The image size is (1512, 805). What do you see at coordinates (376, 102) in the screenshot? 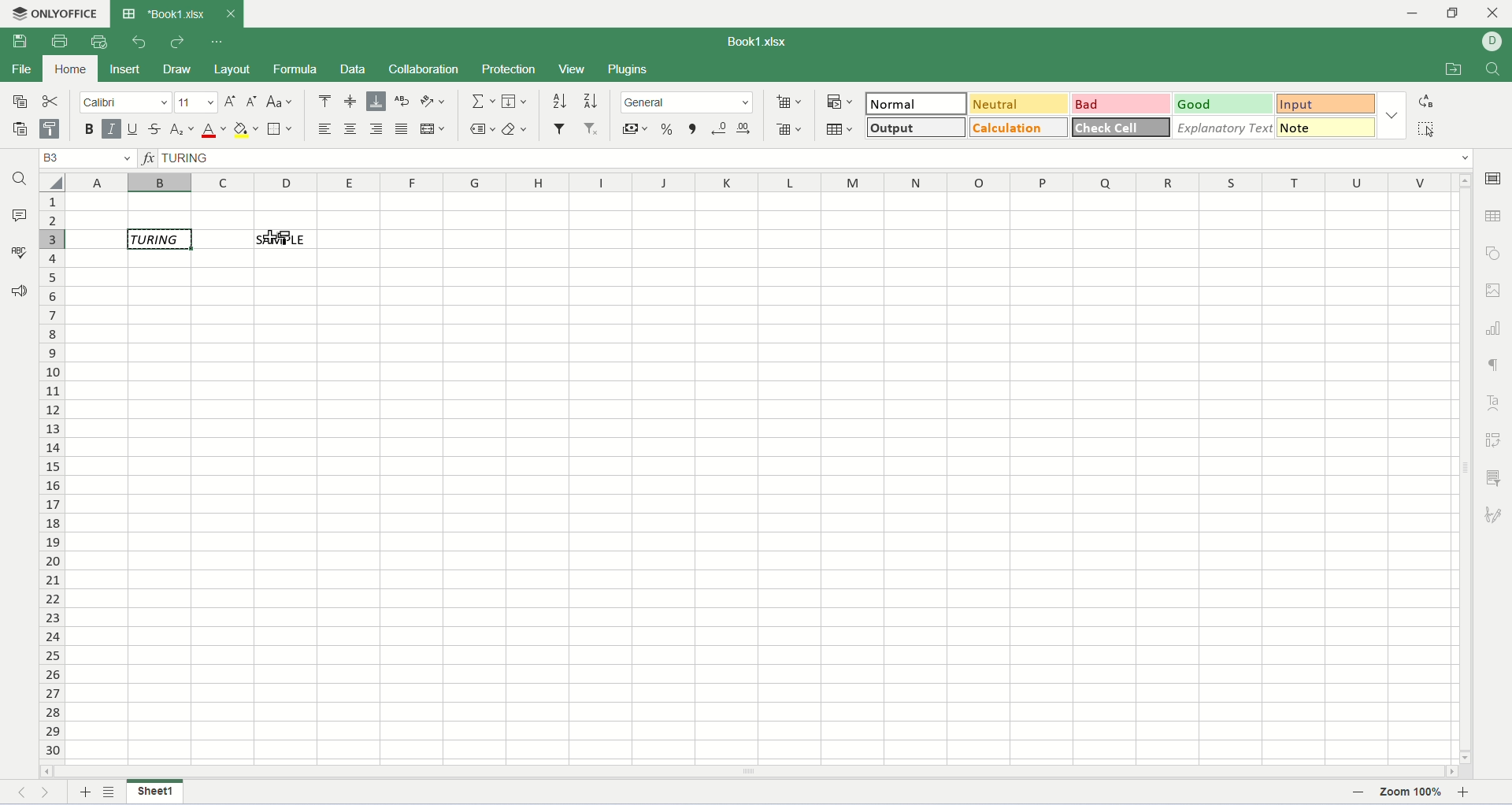
I see `align bottom` at bounding box center [376, 102].